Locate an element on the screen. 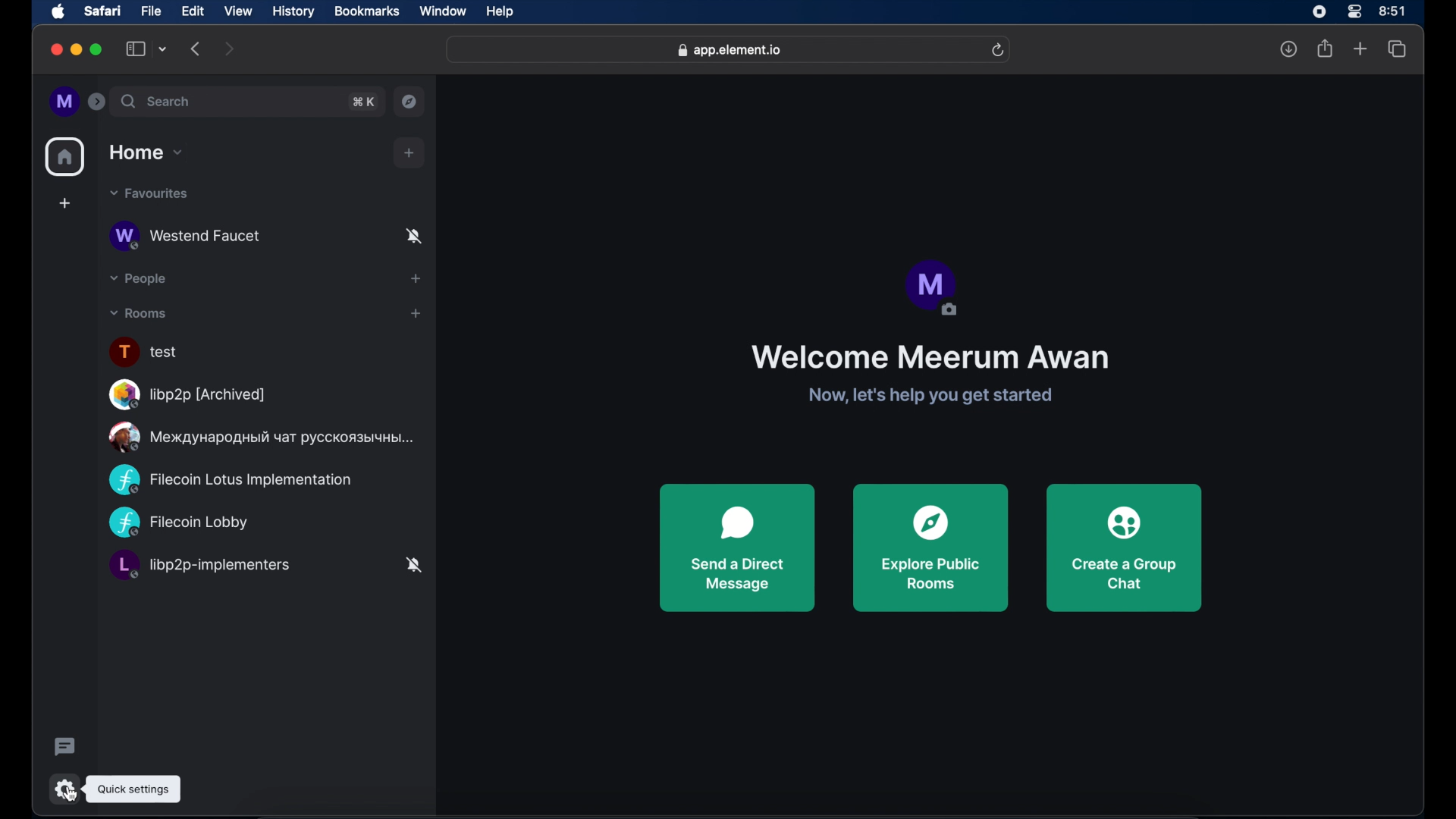 This screenshot has width=1456, height=819. web address - app.element.io is located at coordinates (729, 50).